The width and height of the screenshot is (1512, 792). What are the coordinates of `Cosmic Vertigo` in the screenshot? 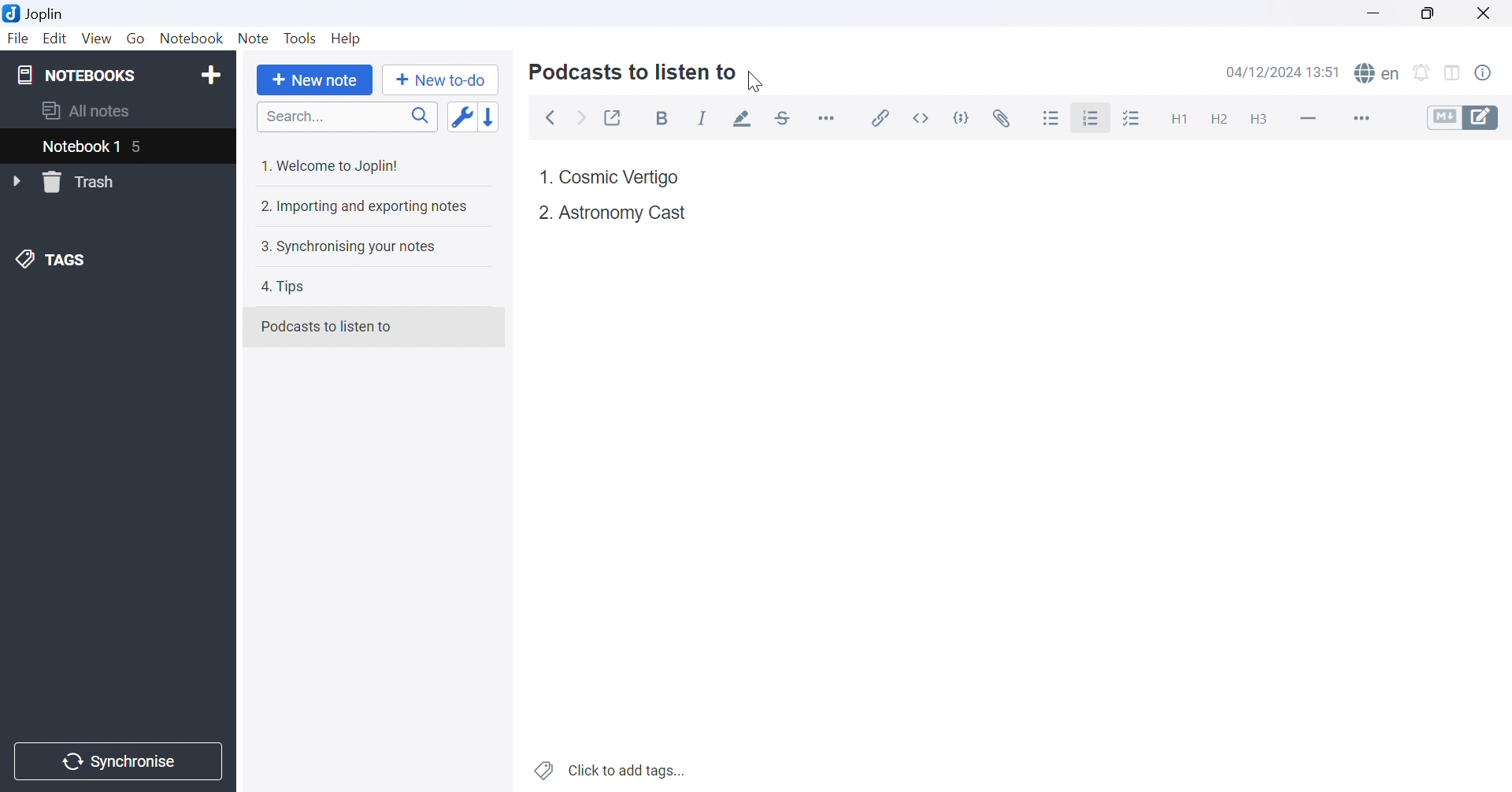 It's located at (621, 178).